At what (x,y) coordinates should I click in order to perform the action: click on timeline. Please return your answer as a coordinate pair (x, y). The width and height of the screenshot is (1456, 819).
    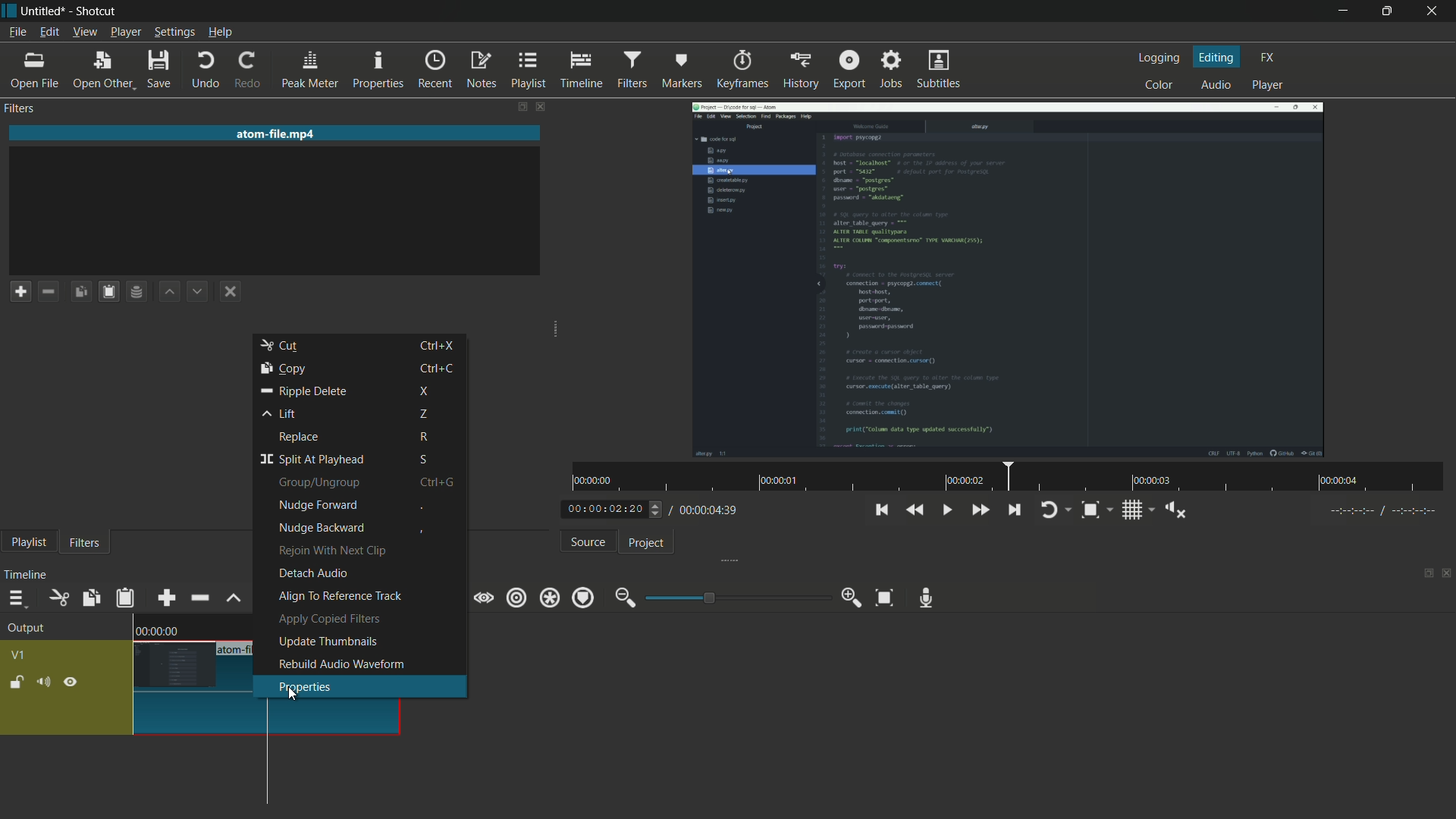
    Looking at the image, I should click on (27, 576).